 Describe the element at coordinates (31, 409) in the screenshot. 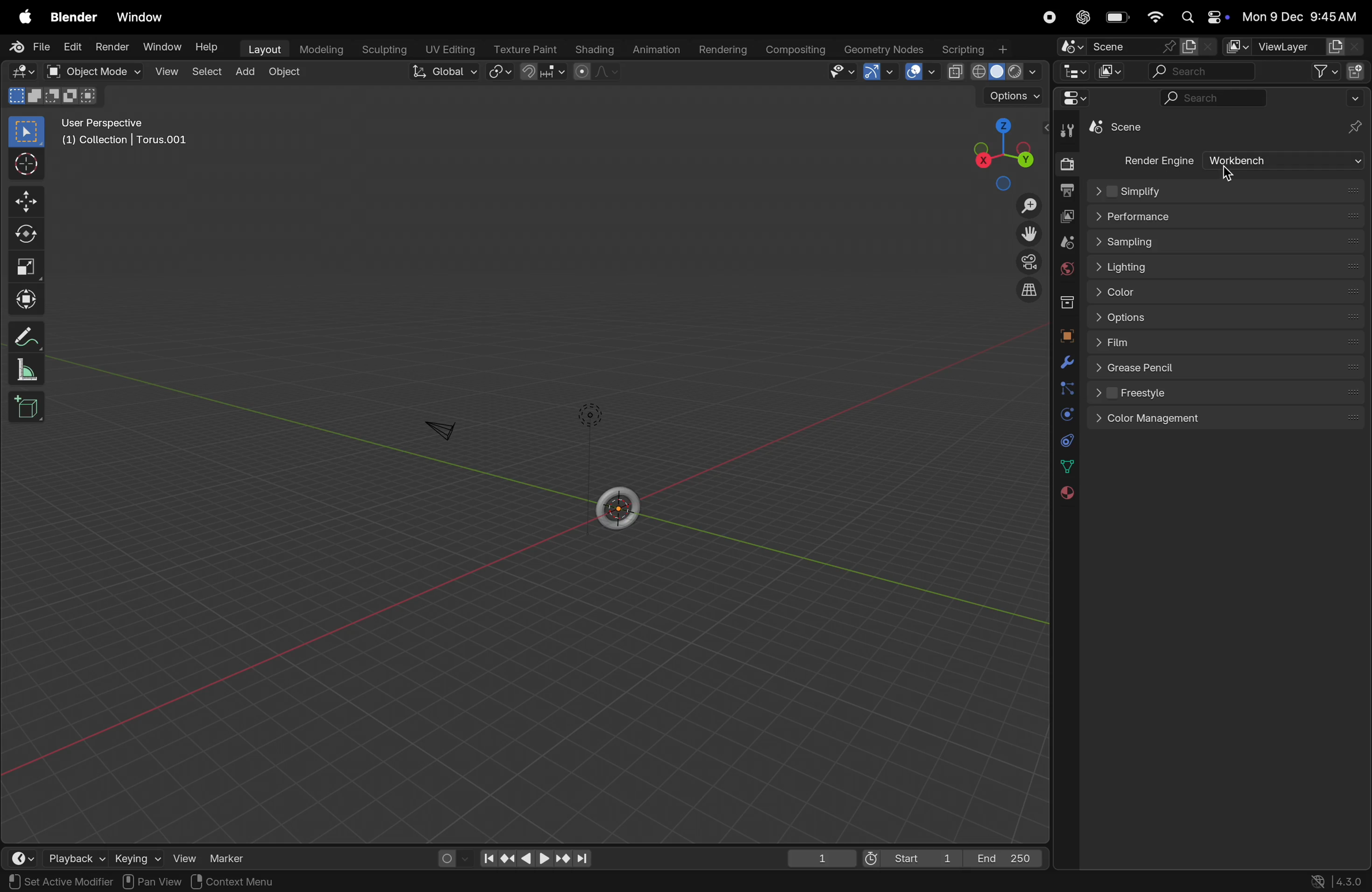

I see `add cube` at that location.